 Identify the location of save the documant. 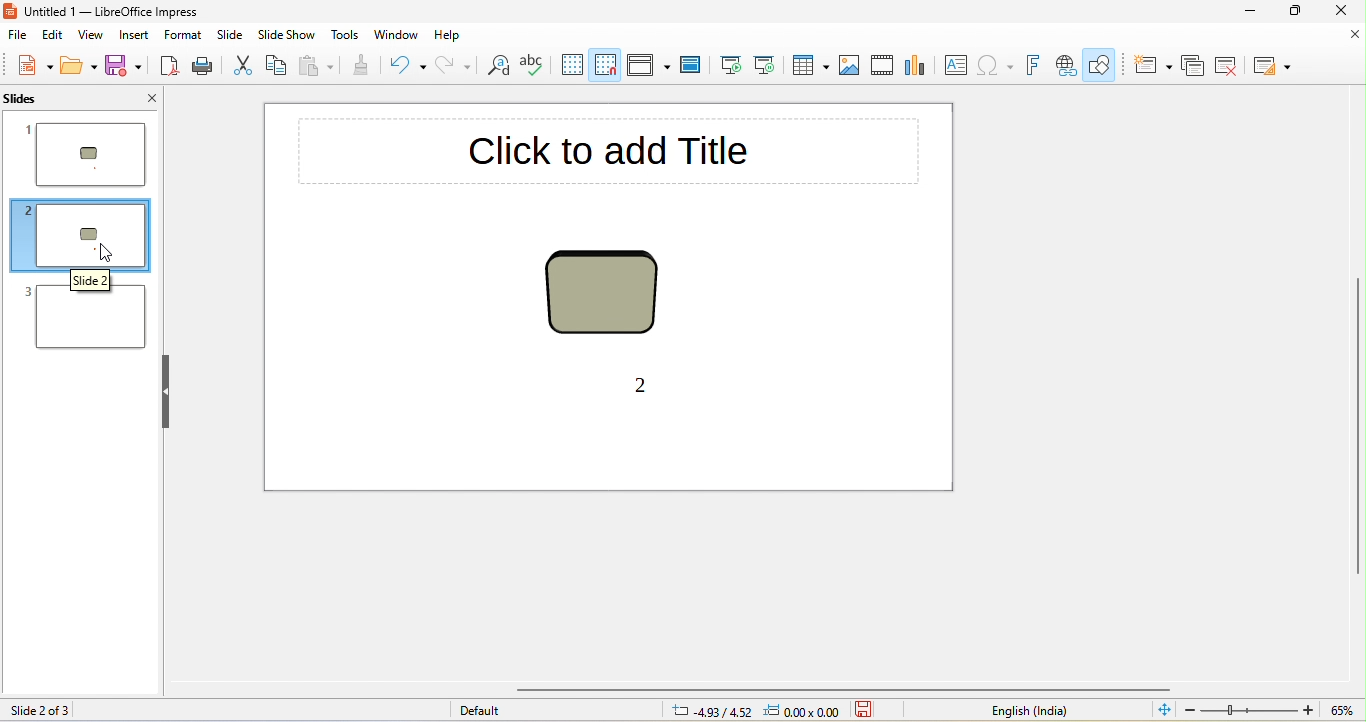
(873, 711).